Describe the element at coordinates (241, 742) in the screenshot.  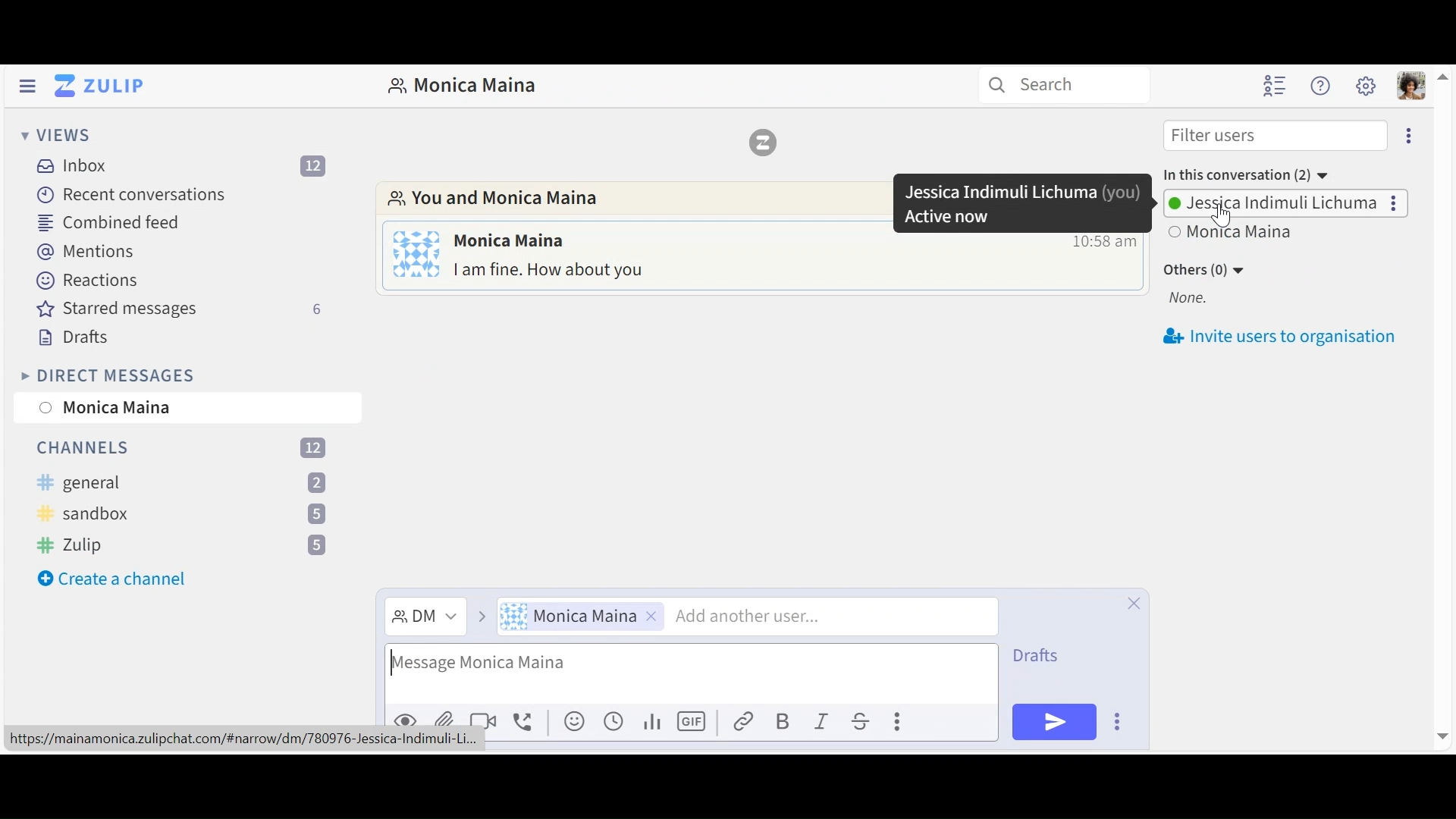
I see `url` at that location.